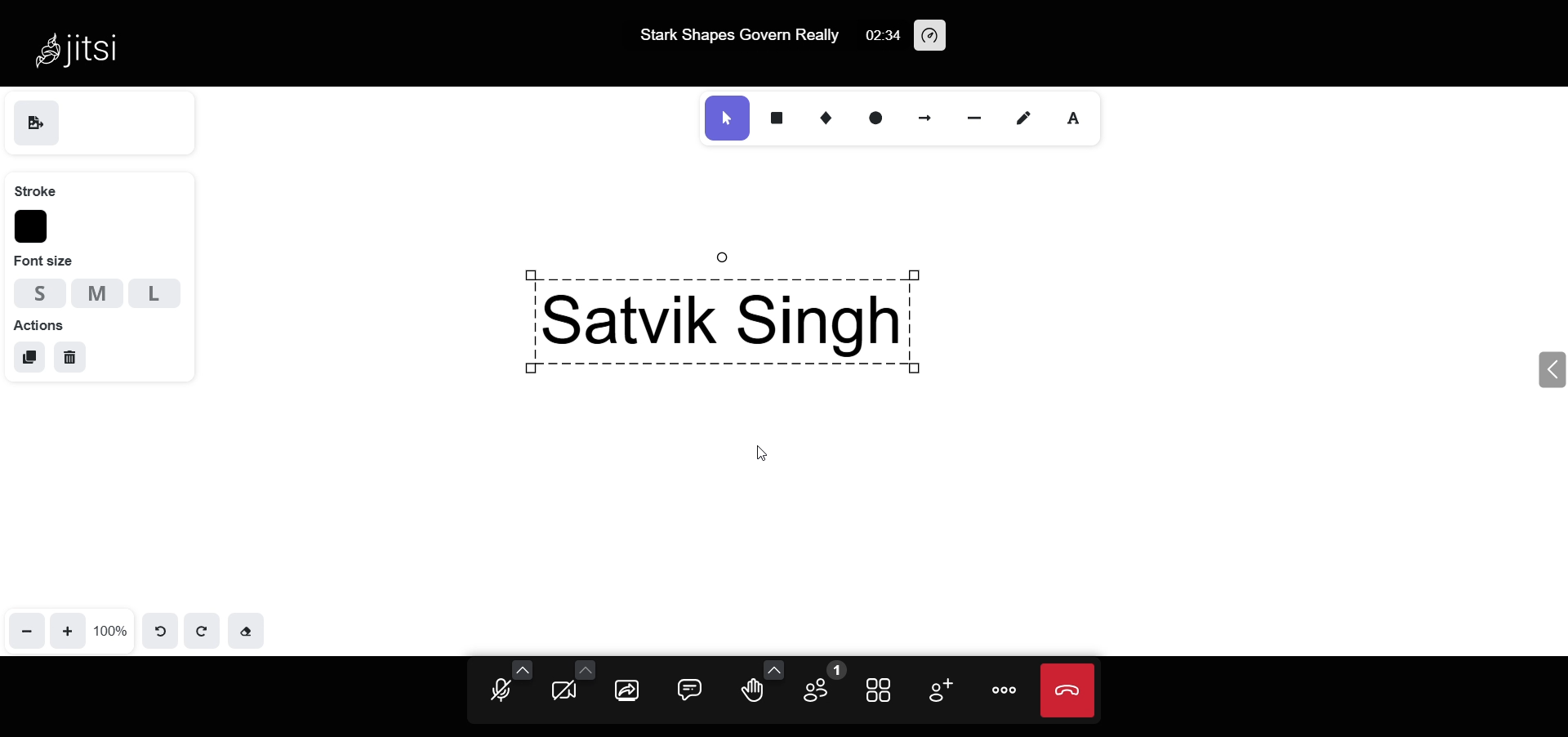 The width and height of the screenshot is (1568, 737). What do you see at coordinates (881, 688) in the screenshot?
I see `tile view` at bounding box center [881, 688].